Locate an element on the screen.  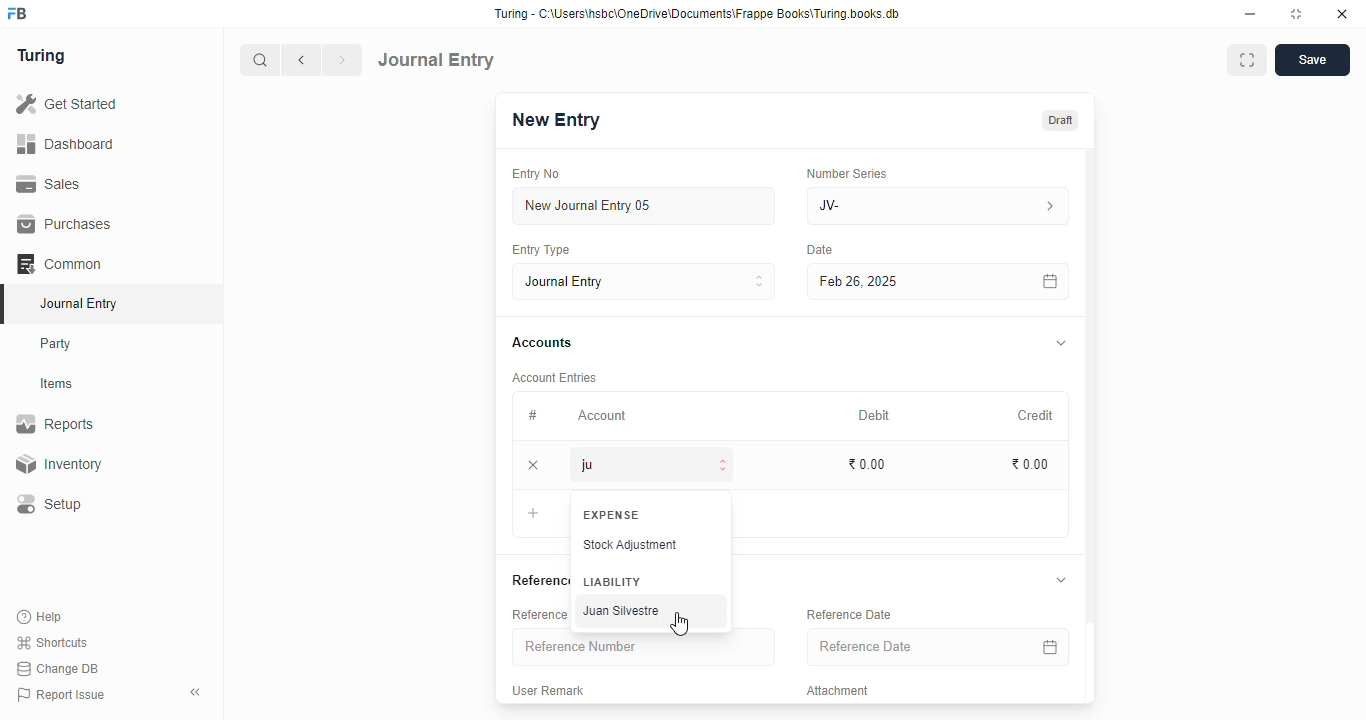
Feb 26, 2025 is located at coordinates (895, 281).